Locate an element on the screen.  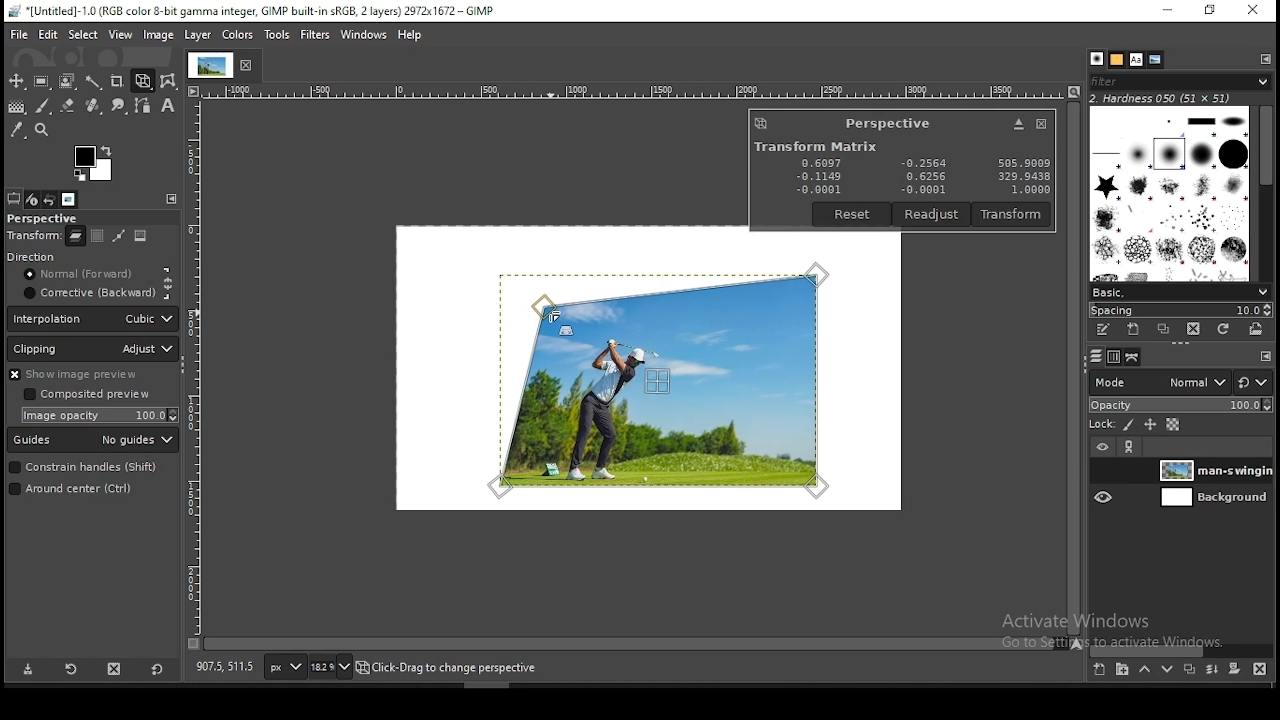
undo history is located at coordinates (51, 199).